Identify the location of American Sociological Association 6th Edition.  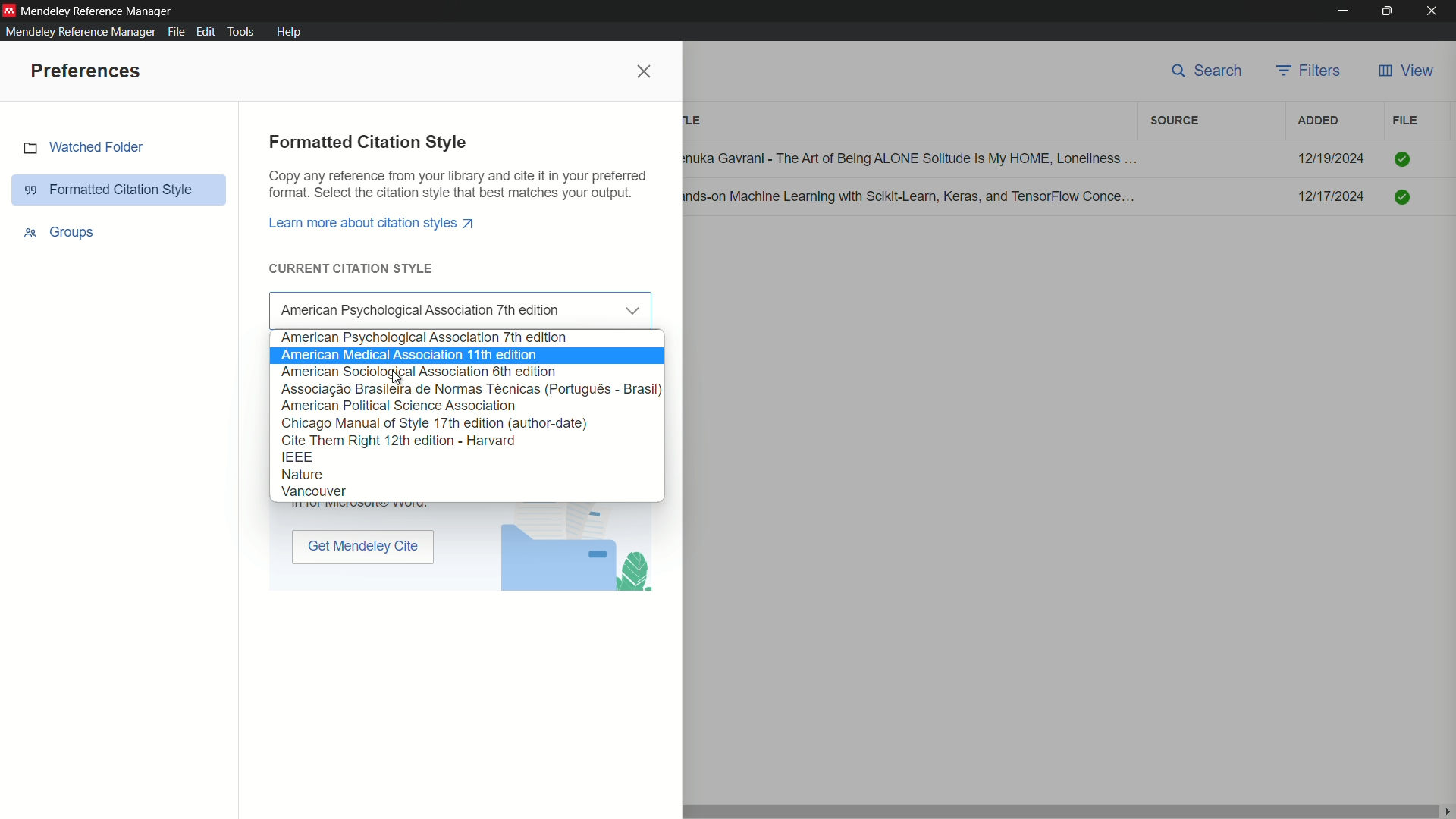
(466, 372).